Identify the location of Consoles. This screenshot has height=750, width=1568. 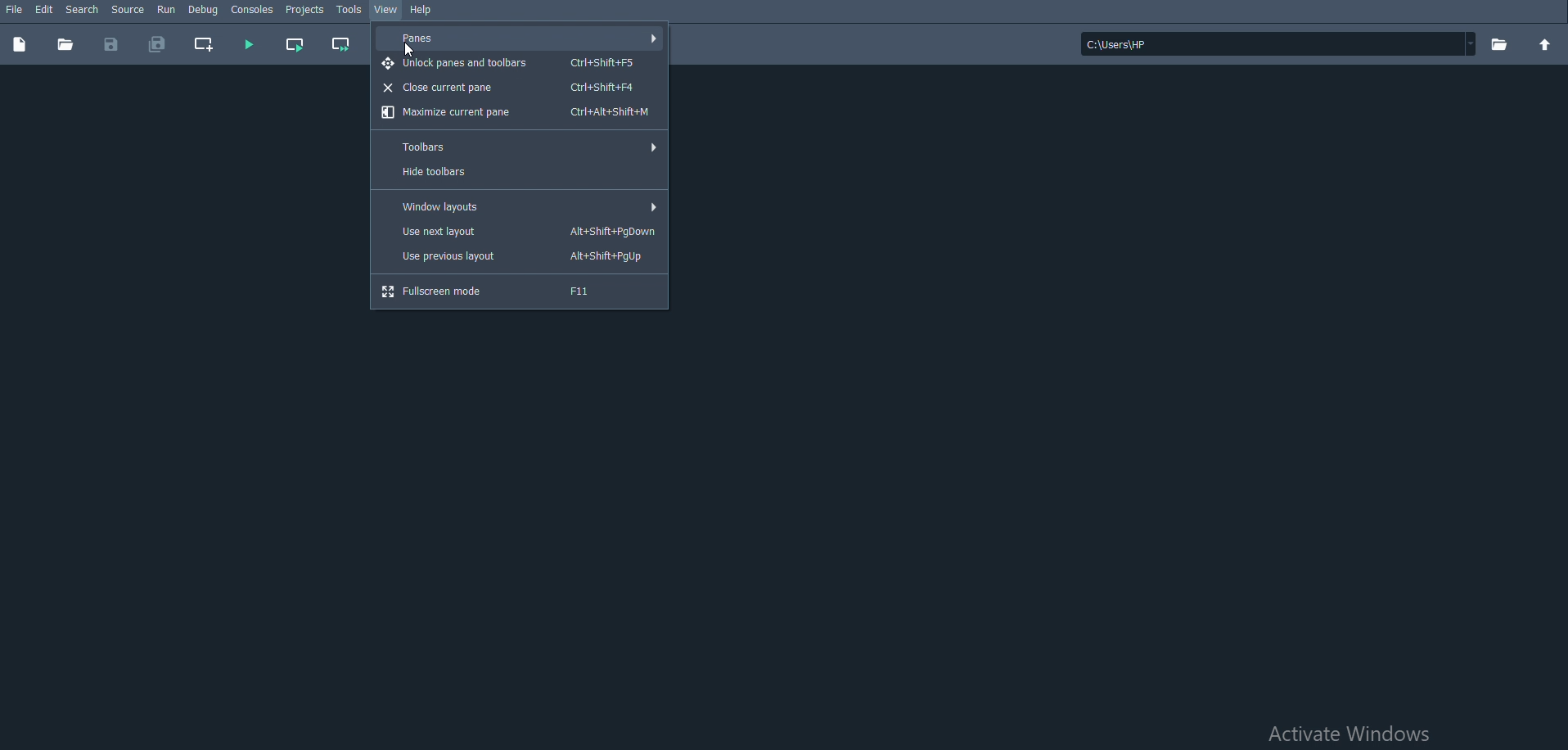
(252, 10).